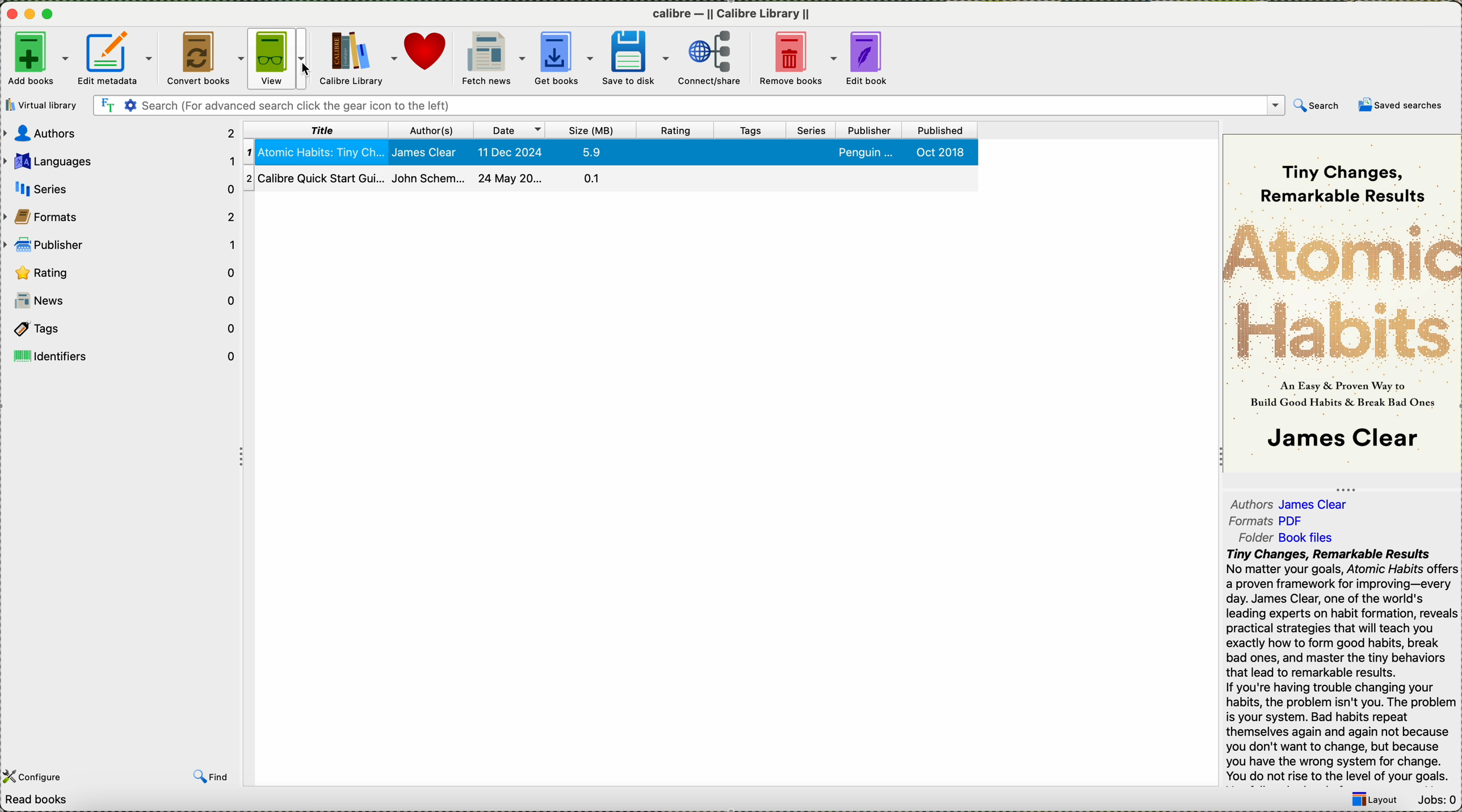 The image size is (1462, 812). Describe the element at coordinates (686, 104) in the screenshot. I see `search bar` at that location.